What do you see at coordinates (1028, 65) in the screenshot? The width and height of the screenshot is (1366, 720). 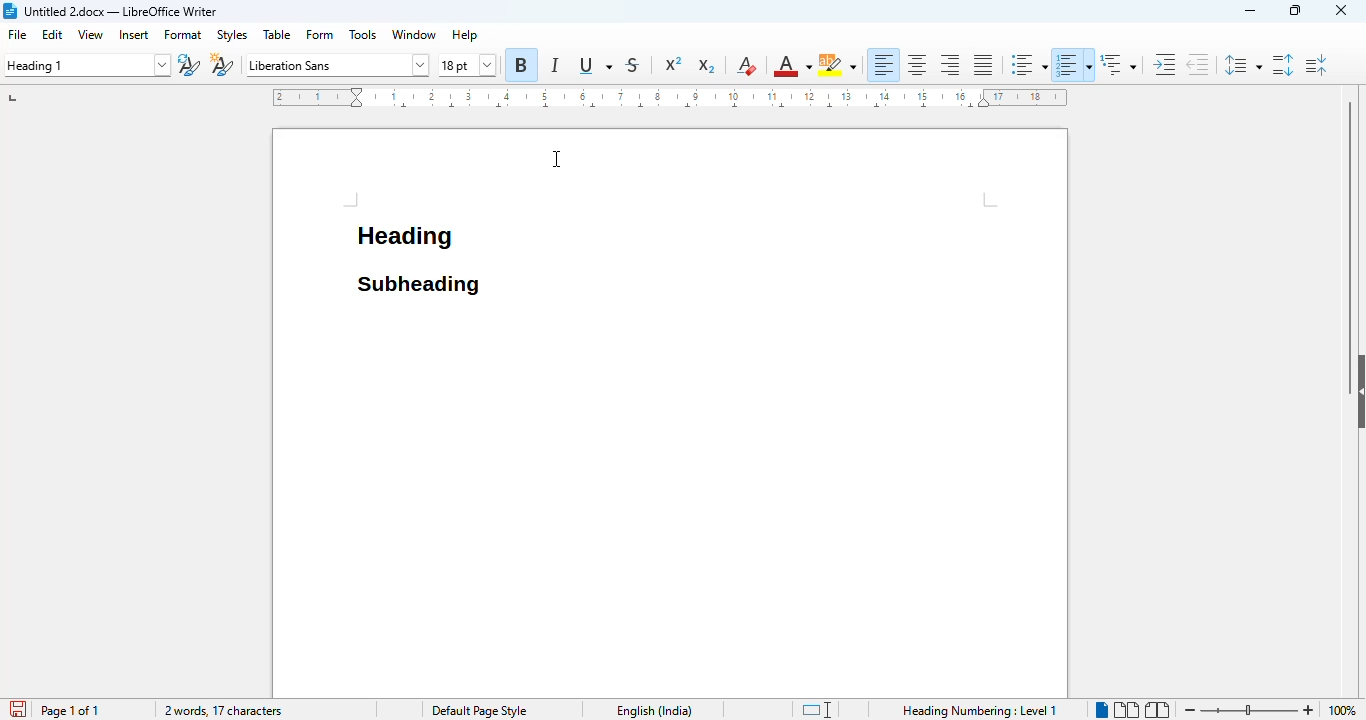 I see `toggle unordered list` at bounding box center [1028, 65].